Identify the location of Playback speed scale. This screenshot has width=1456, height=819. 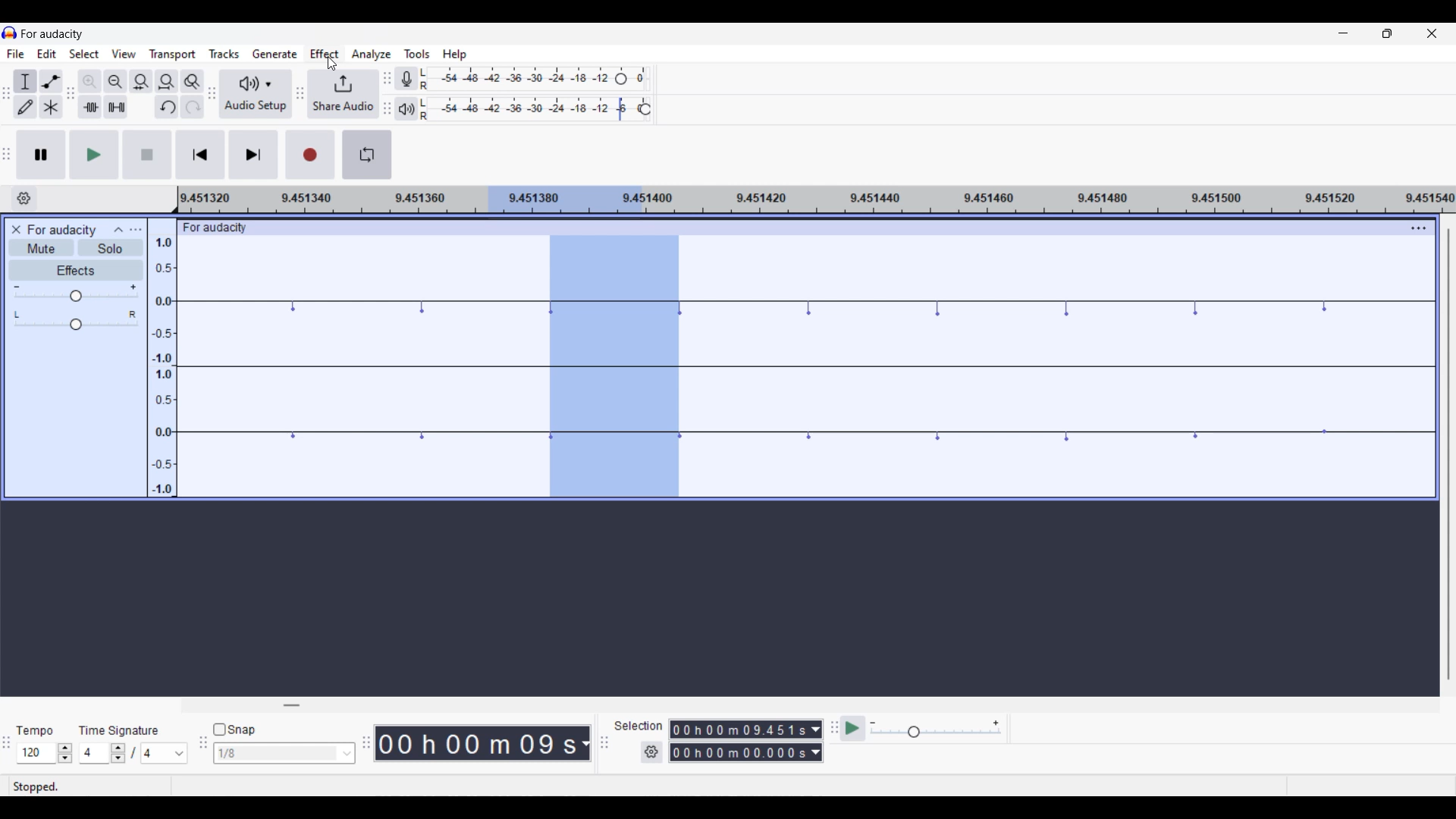
(936, 730).